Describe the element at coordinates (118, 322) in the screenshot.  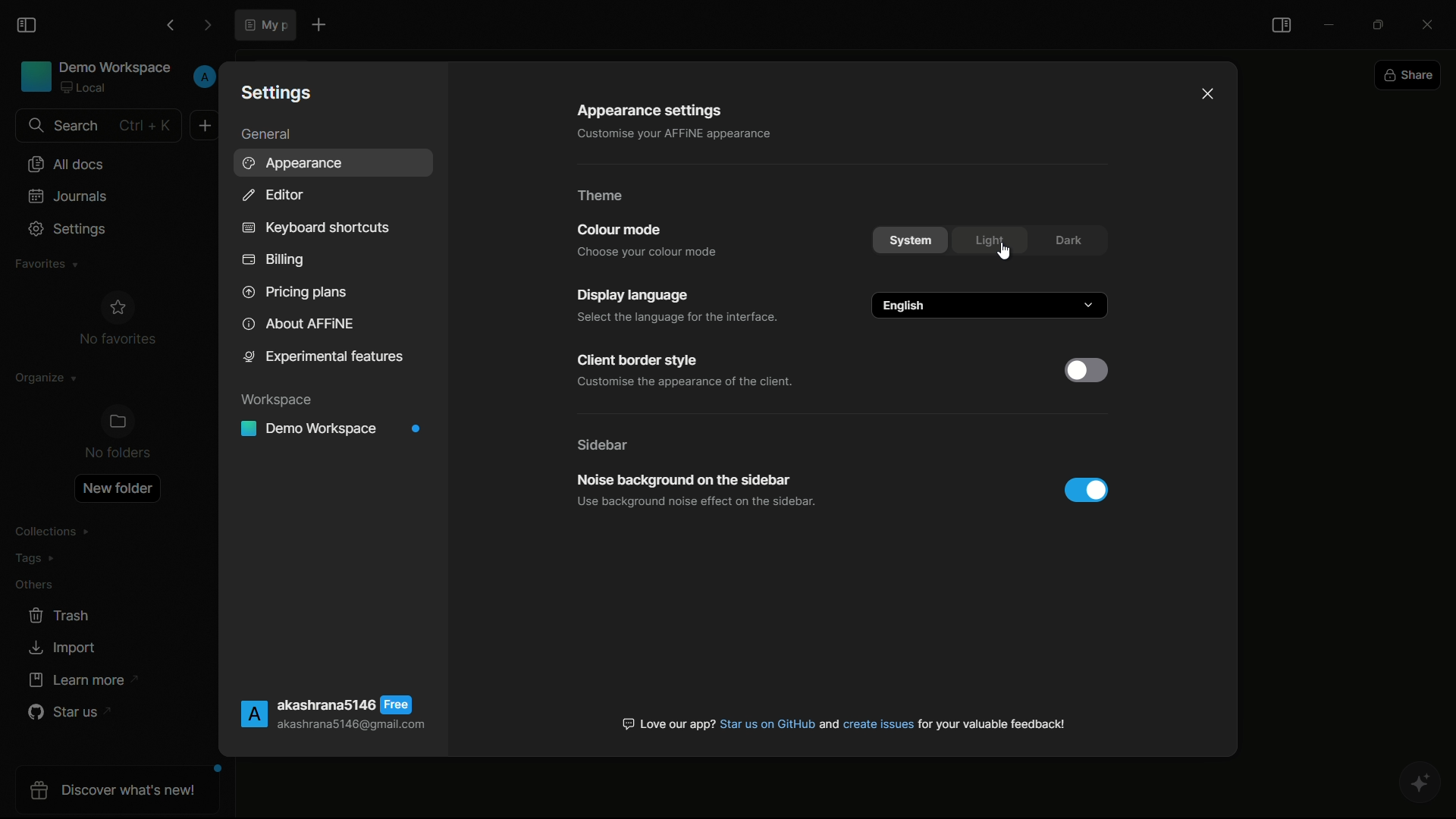
I see `no favorites` at that location.